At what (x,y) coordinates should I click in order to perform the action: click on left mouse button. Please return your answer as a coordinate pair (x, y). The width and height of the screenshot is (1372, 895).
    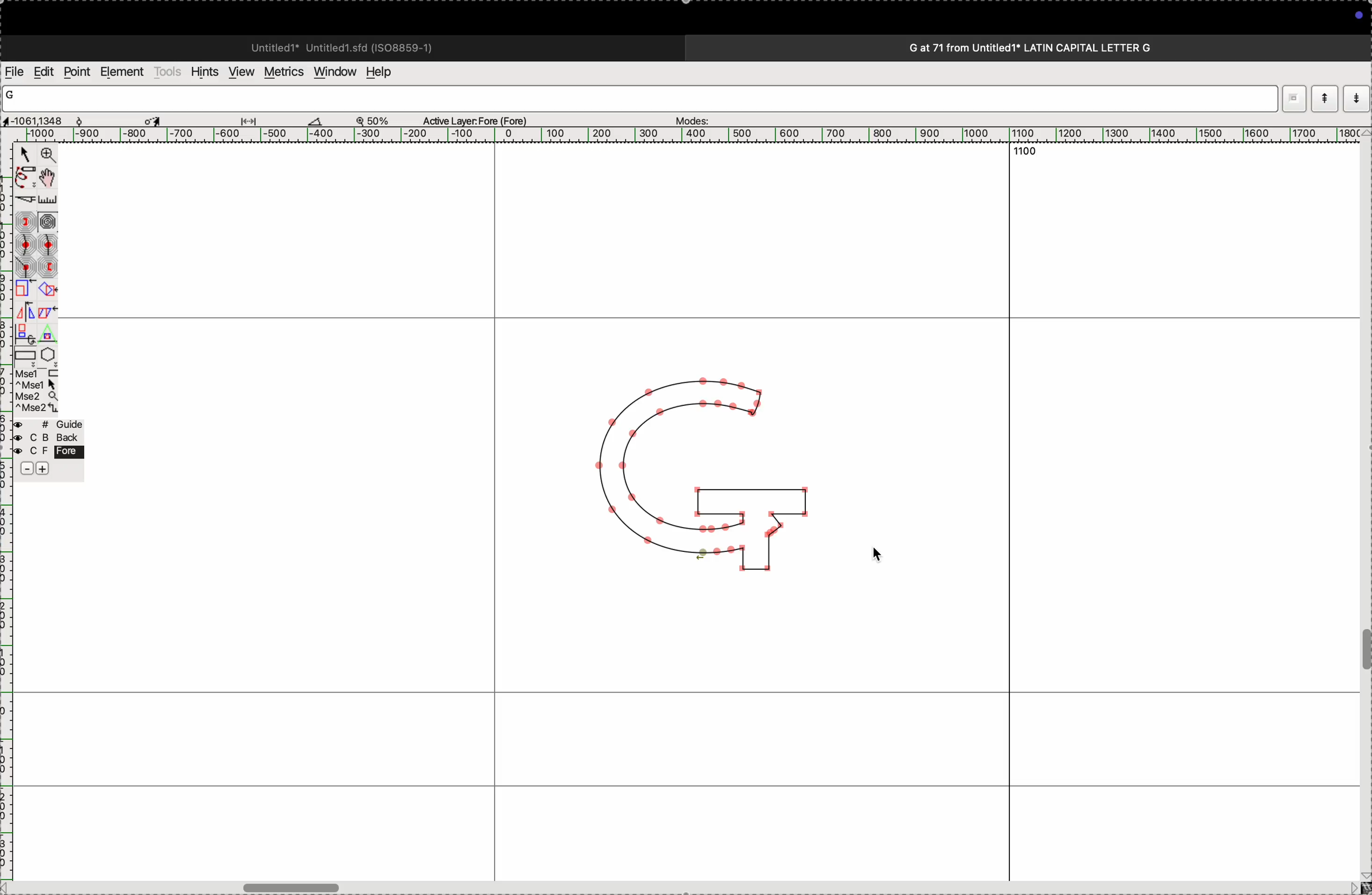
    Looking at the image, I should click on (37, 373).